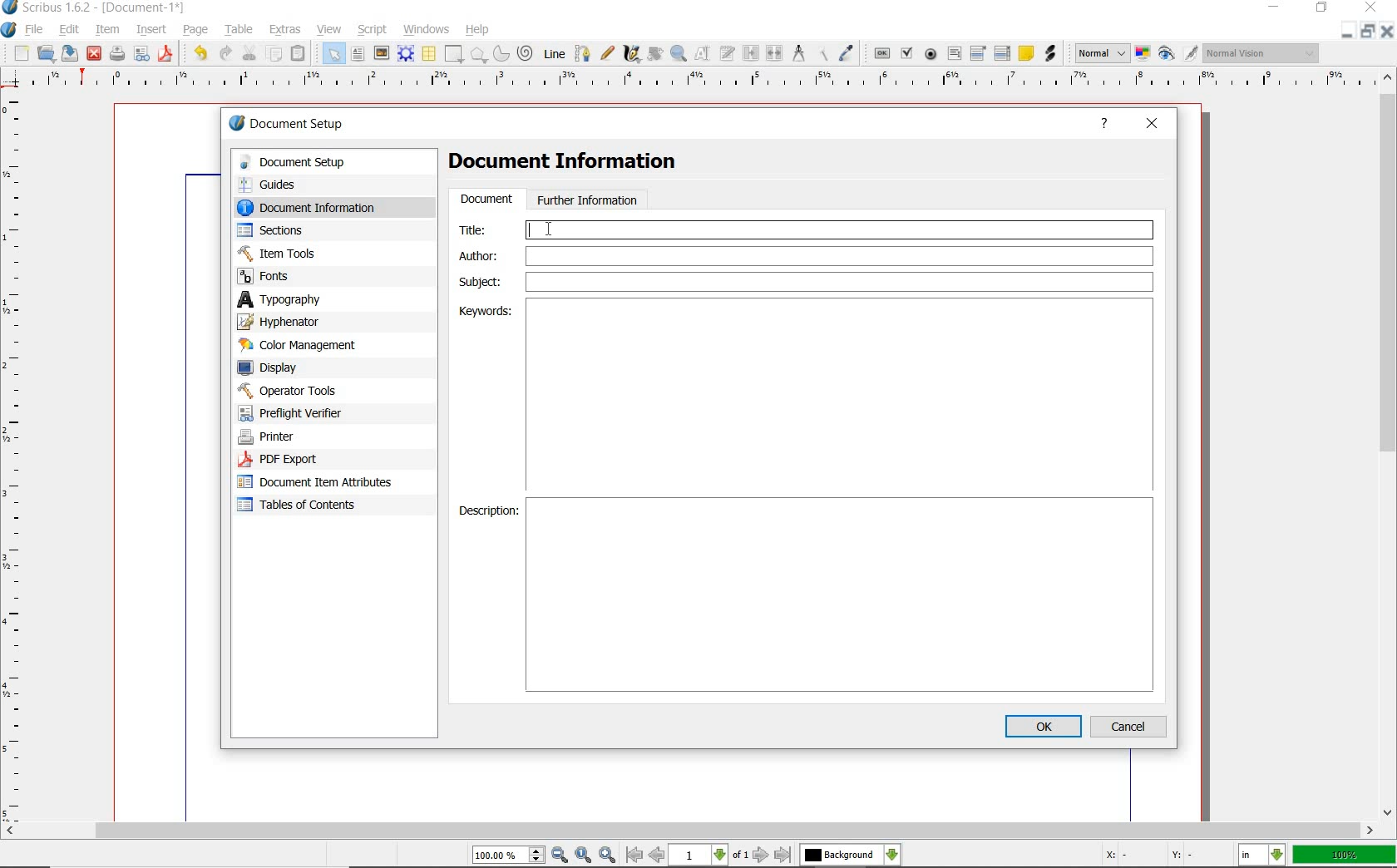 Image resolution: width=1397 pixels, height=868 pixels. I want to click on text annotation, so click(1025, 55).